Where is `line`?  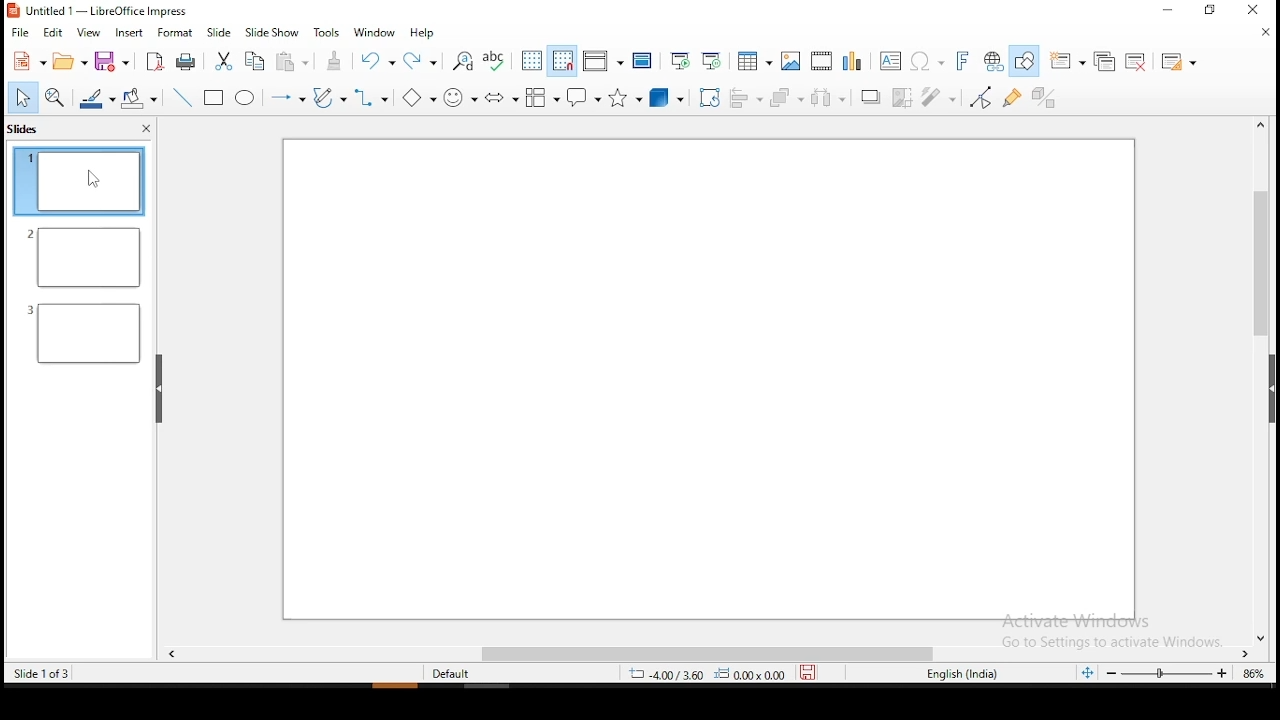
line is located at coordinates (183, 98).